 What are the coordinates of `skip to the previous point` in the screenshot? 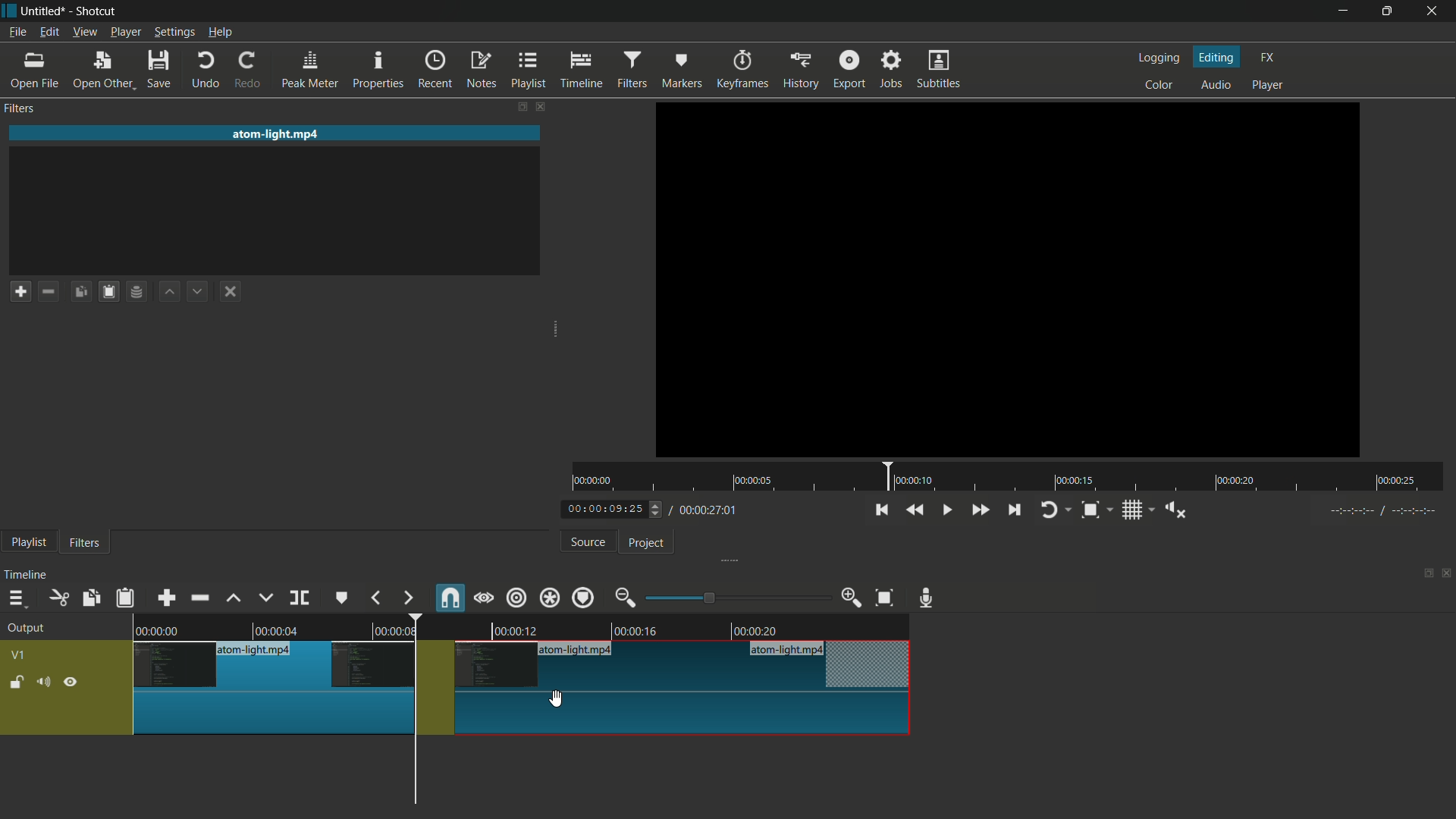 It's located at (881, 510).